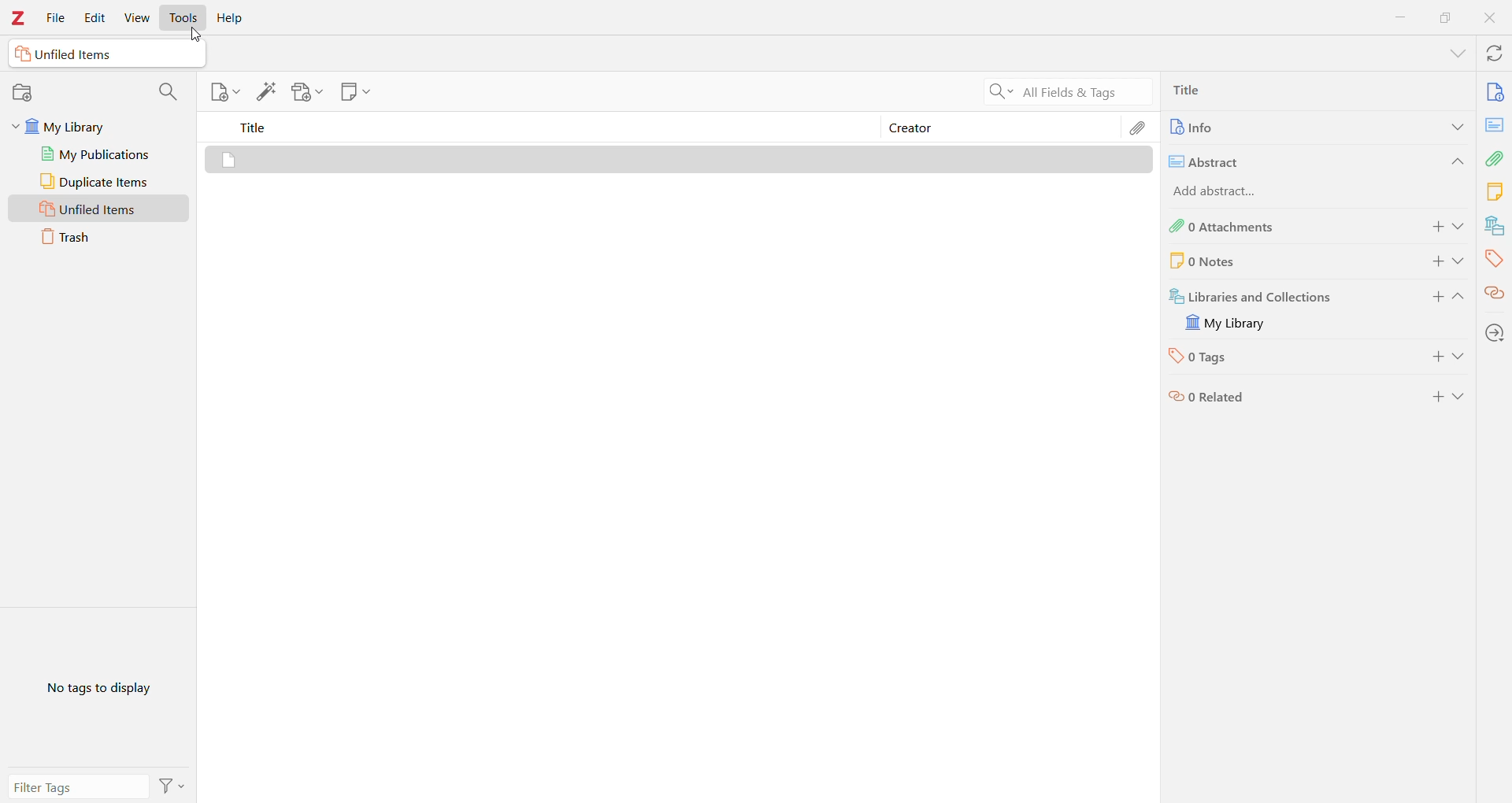 This screenshot has height=803, width=1512. I want to click on Locate, so click(1495, 332).